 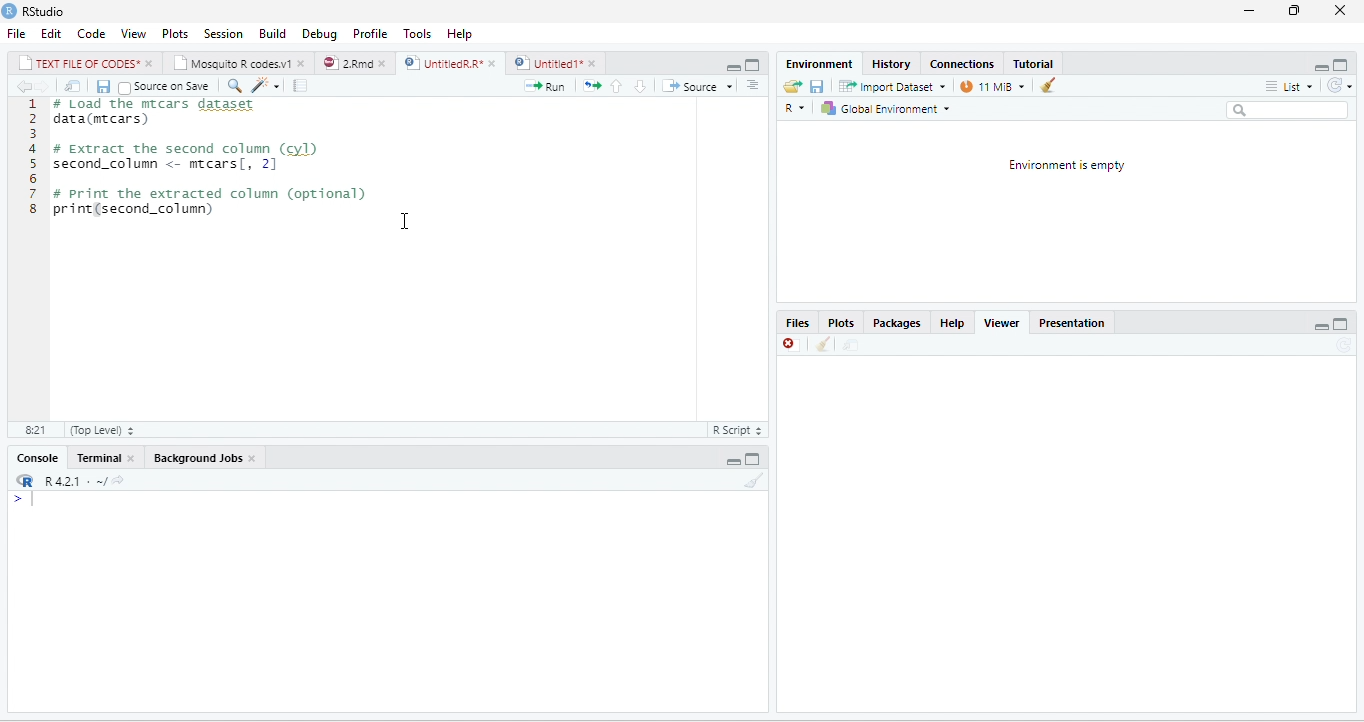 I want to click on checkbox, so click(x=124, y=87).